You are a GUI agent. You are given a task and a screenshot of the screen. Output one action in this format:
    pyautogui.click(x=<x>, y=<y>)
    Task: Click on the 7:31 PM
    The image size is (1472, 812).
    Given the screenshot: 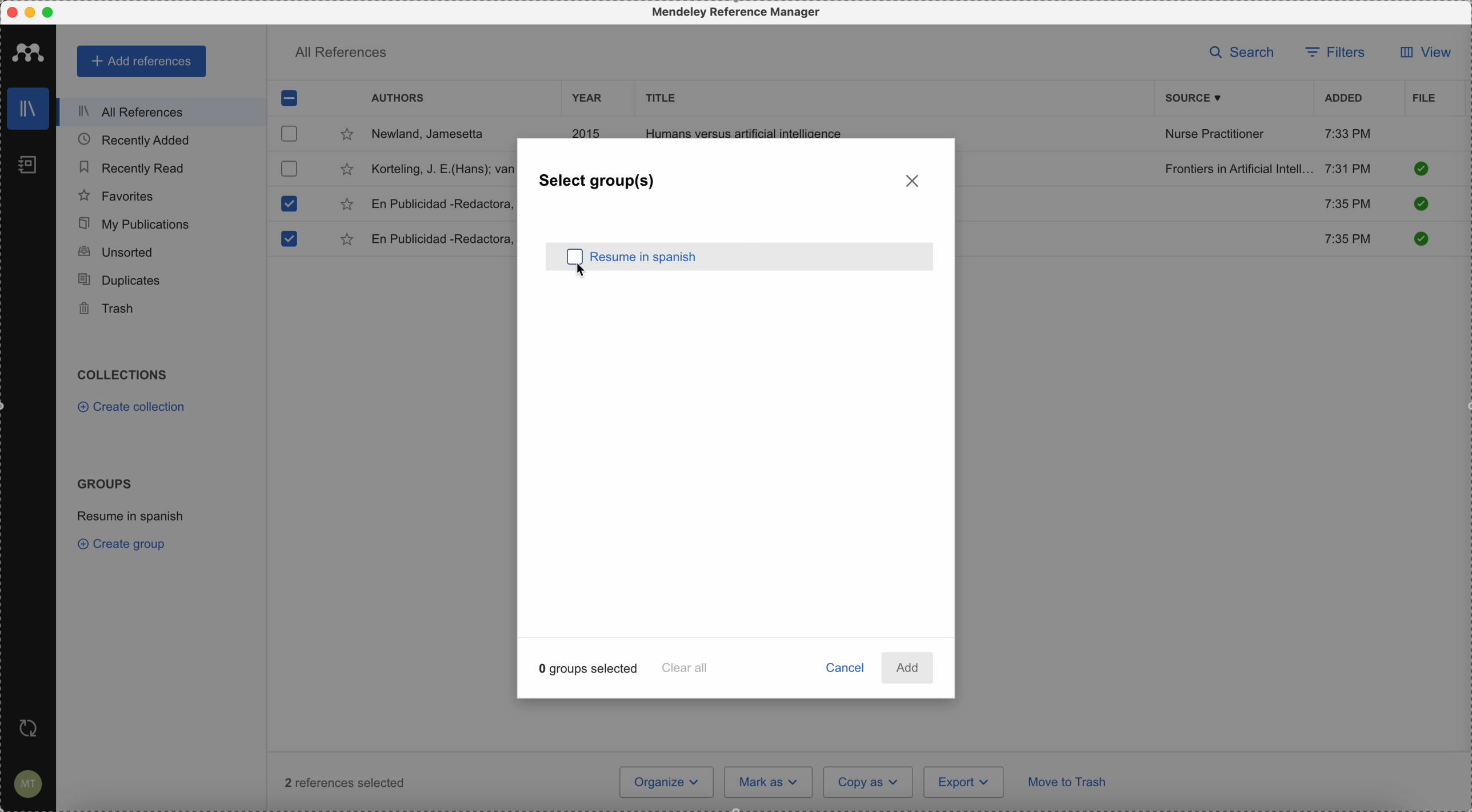 What is the action you would take?
    pyautogui.click(x=1348, y=167)
    